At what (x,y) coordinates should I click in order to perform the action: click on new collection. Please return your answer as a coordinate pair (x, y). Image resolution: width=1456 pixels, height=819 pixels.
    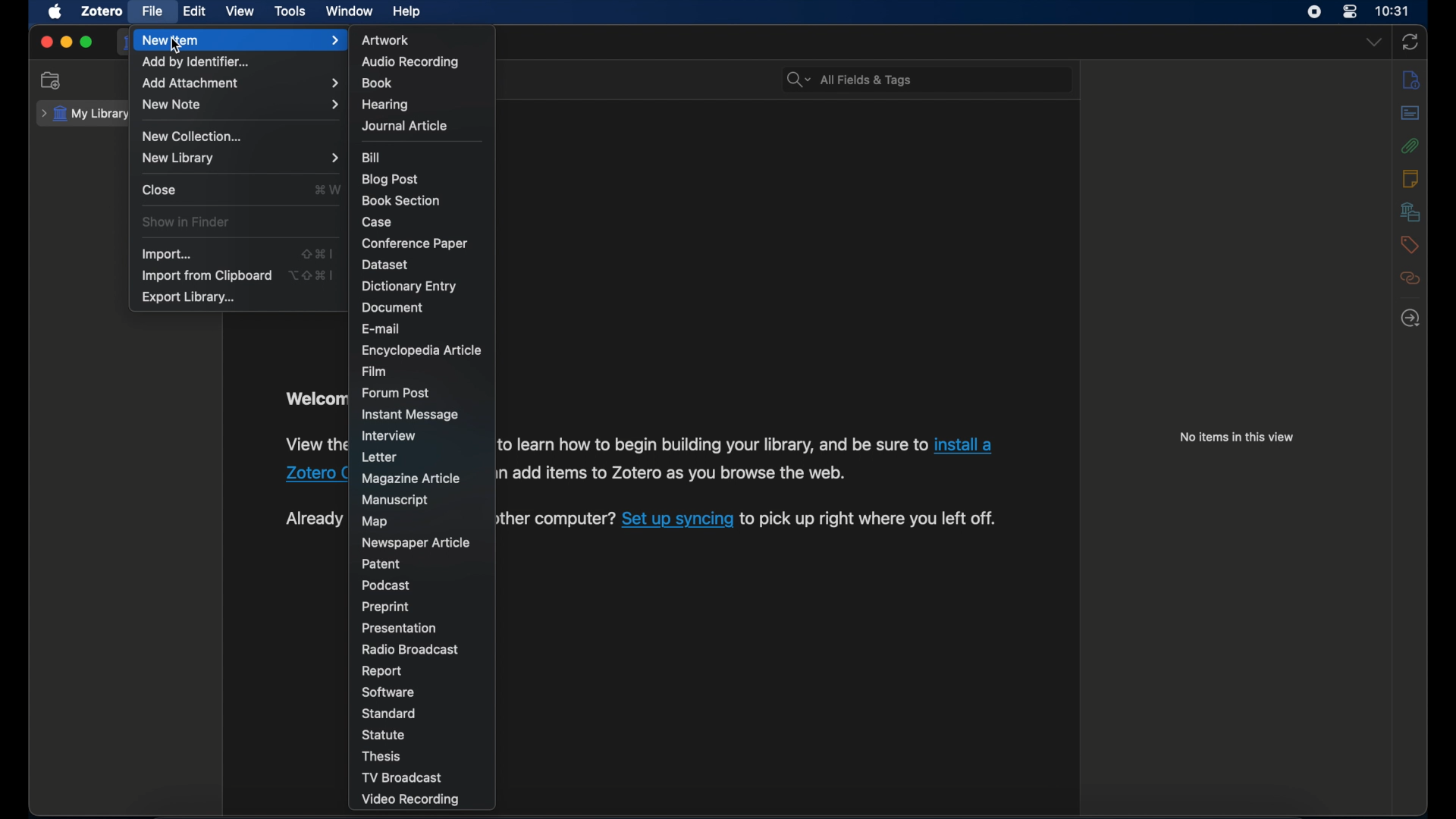
    Looking at the image, I should click on (51, 80).